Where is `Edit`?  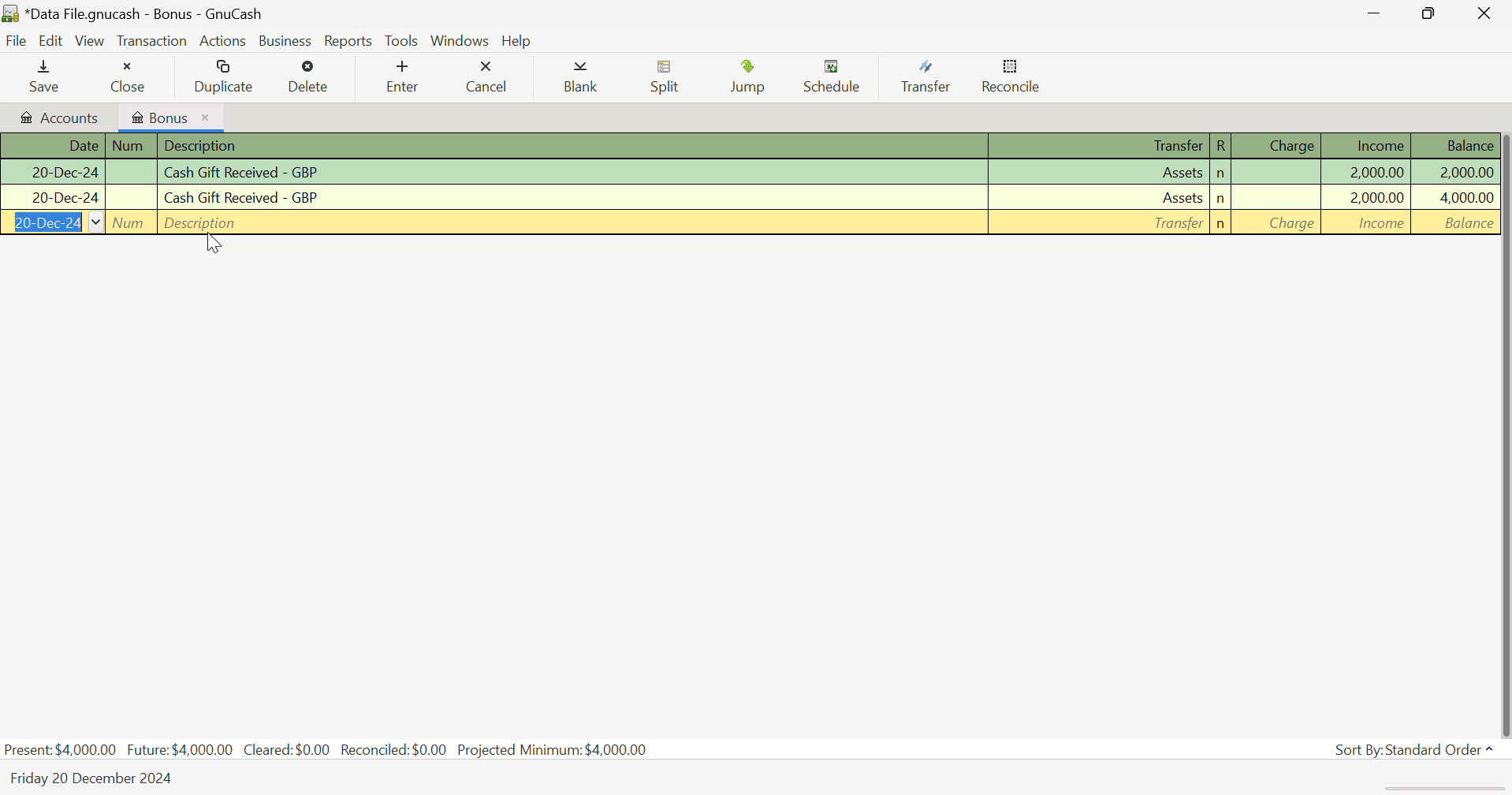 Edit is located at coordinates (54, 41).